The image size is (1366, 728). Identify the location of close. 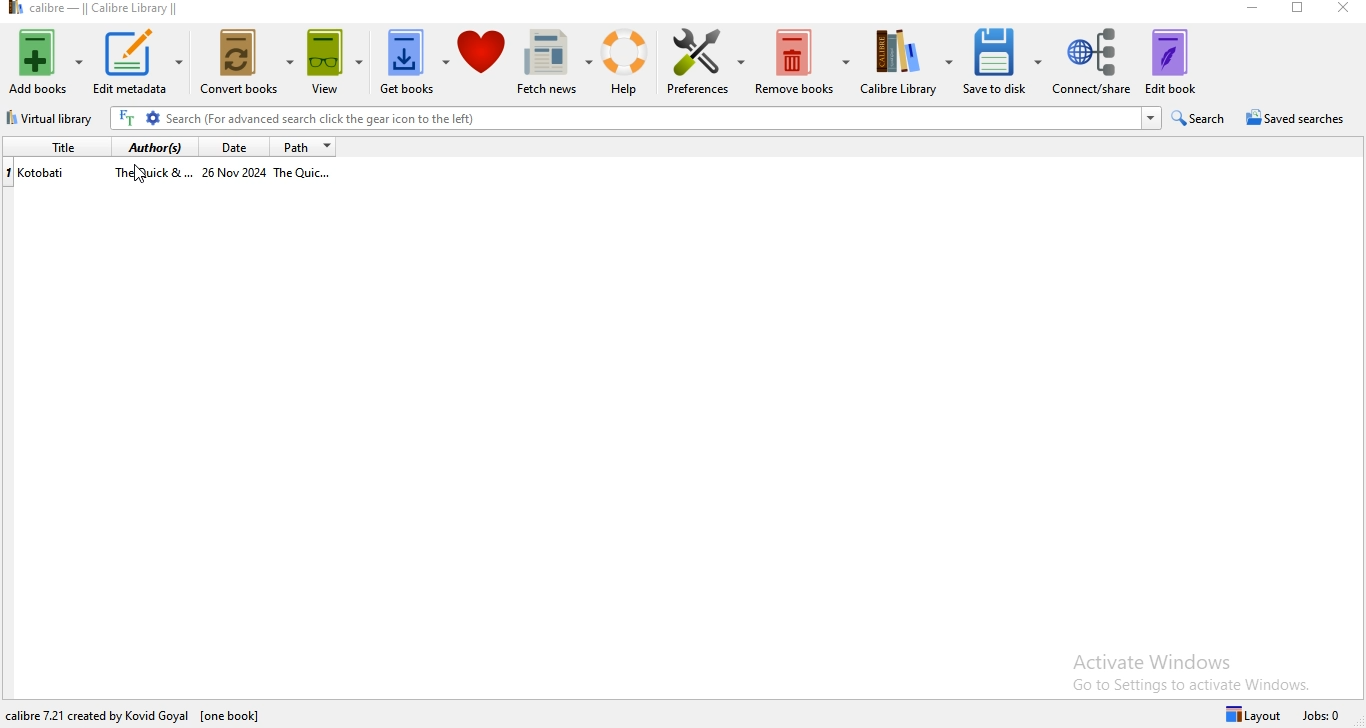
(1345, 10).